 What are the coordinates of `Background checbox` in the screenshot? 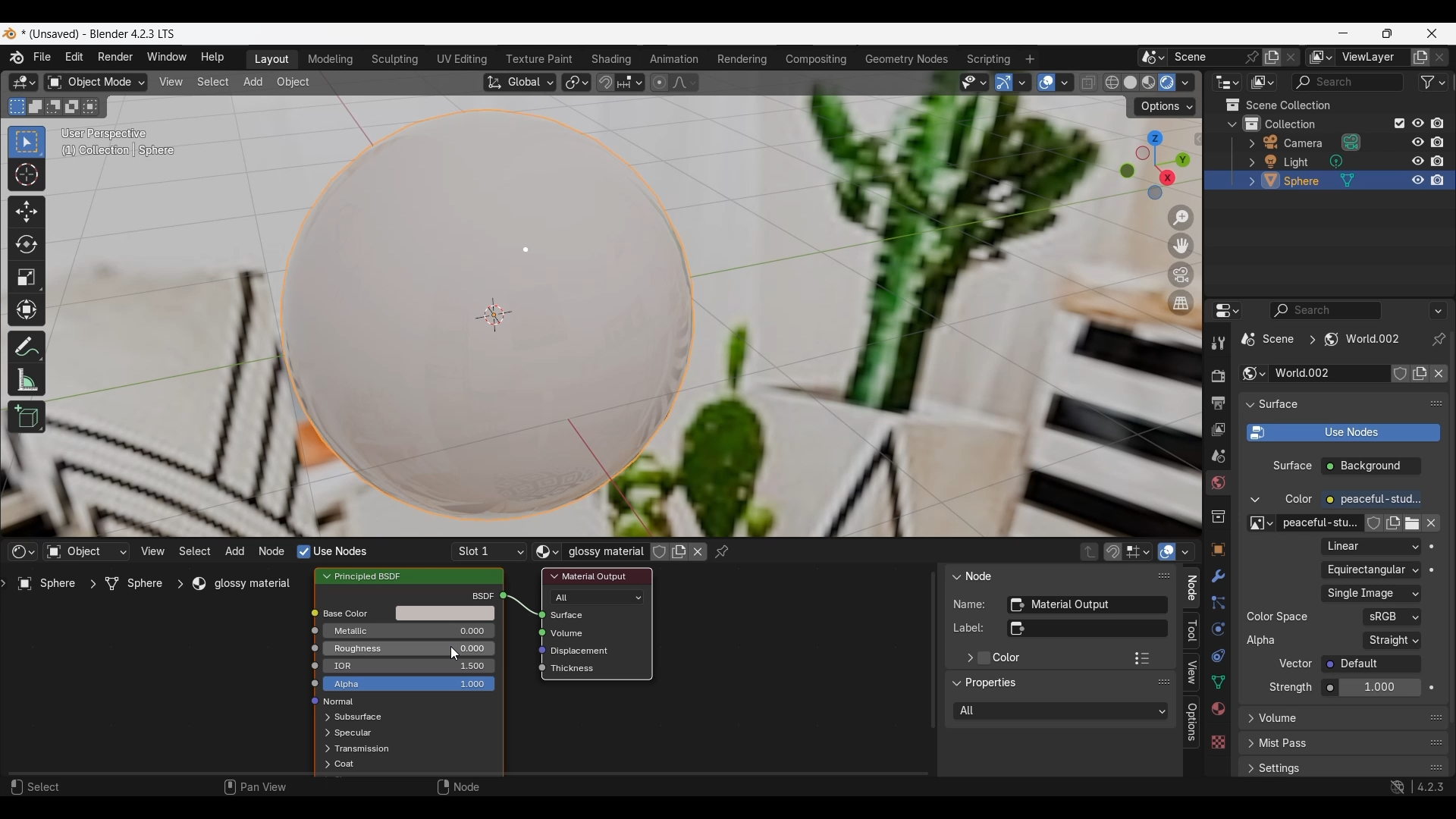 It's located at (1372, 466).